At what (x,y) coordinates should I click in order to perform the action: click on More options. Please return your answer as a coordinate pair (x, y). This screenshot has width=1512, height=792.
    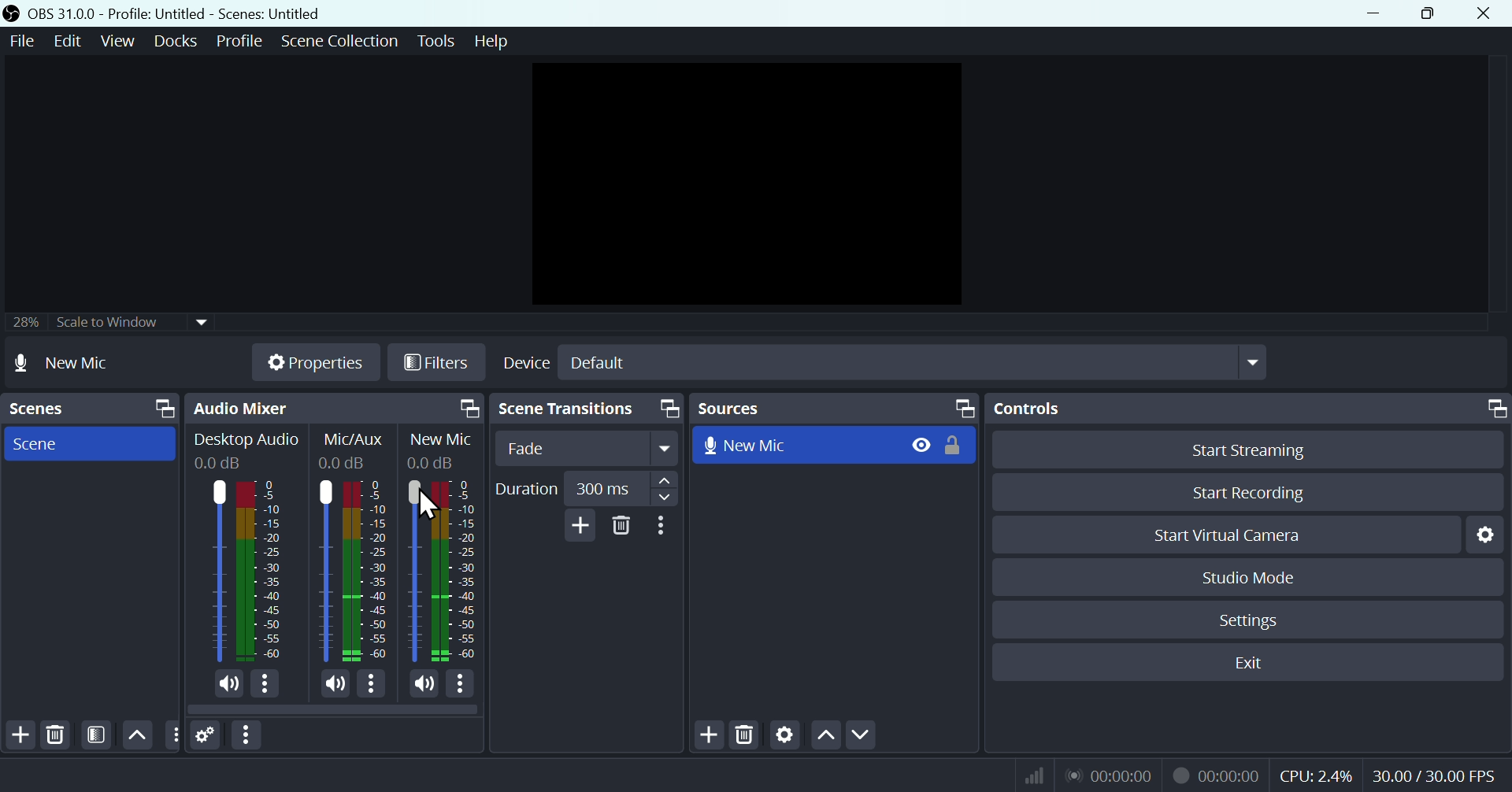
    Looking at the image, I should click on (248, 735).